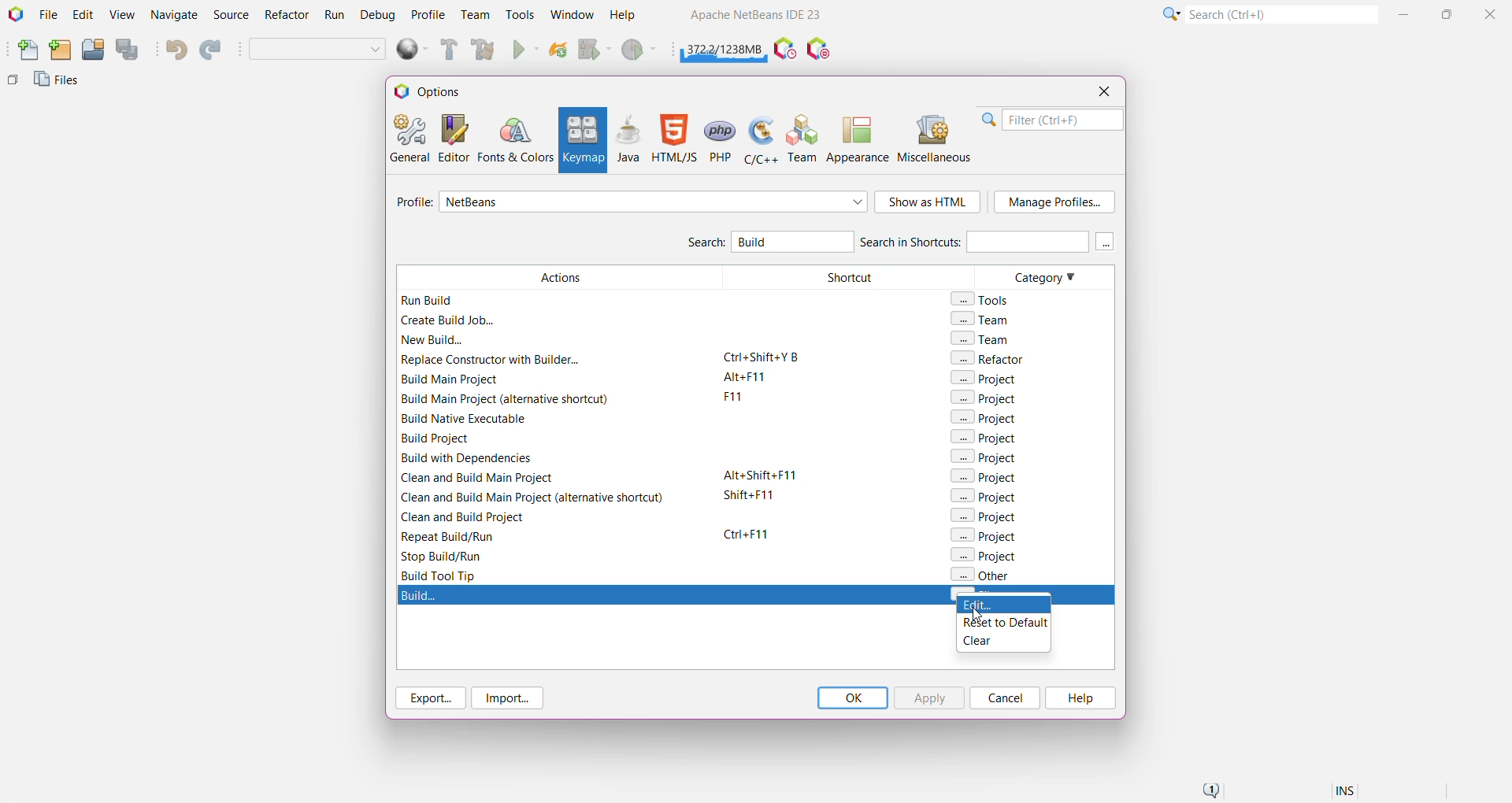 Image resolution: width=1512 pixels, height=803 pixels. What do you see at coordinates (412, 50) in the screenshot?
I see `` at bounding box center [412, 50].